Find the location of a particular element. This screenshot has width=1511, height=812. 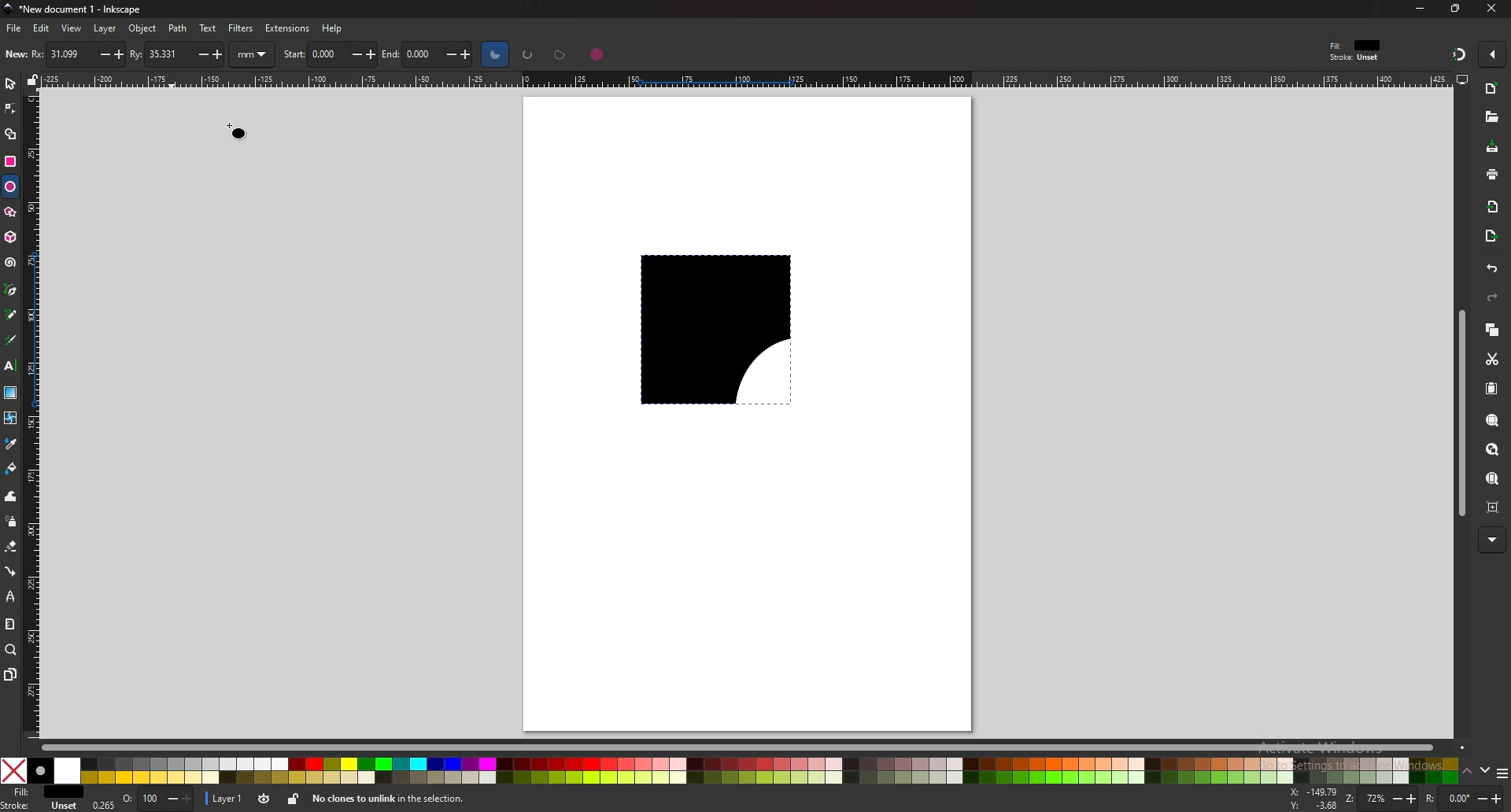

minimize is located at coordinates (1421, 8).